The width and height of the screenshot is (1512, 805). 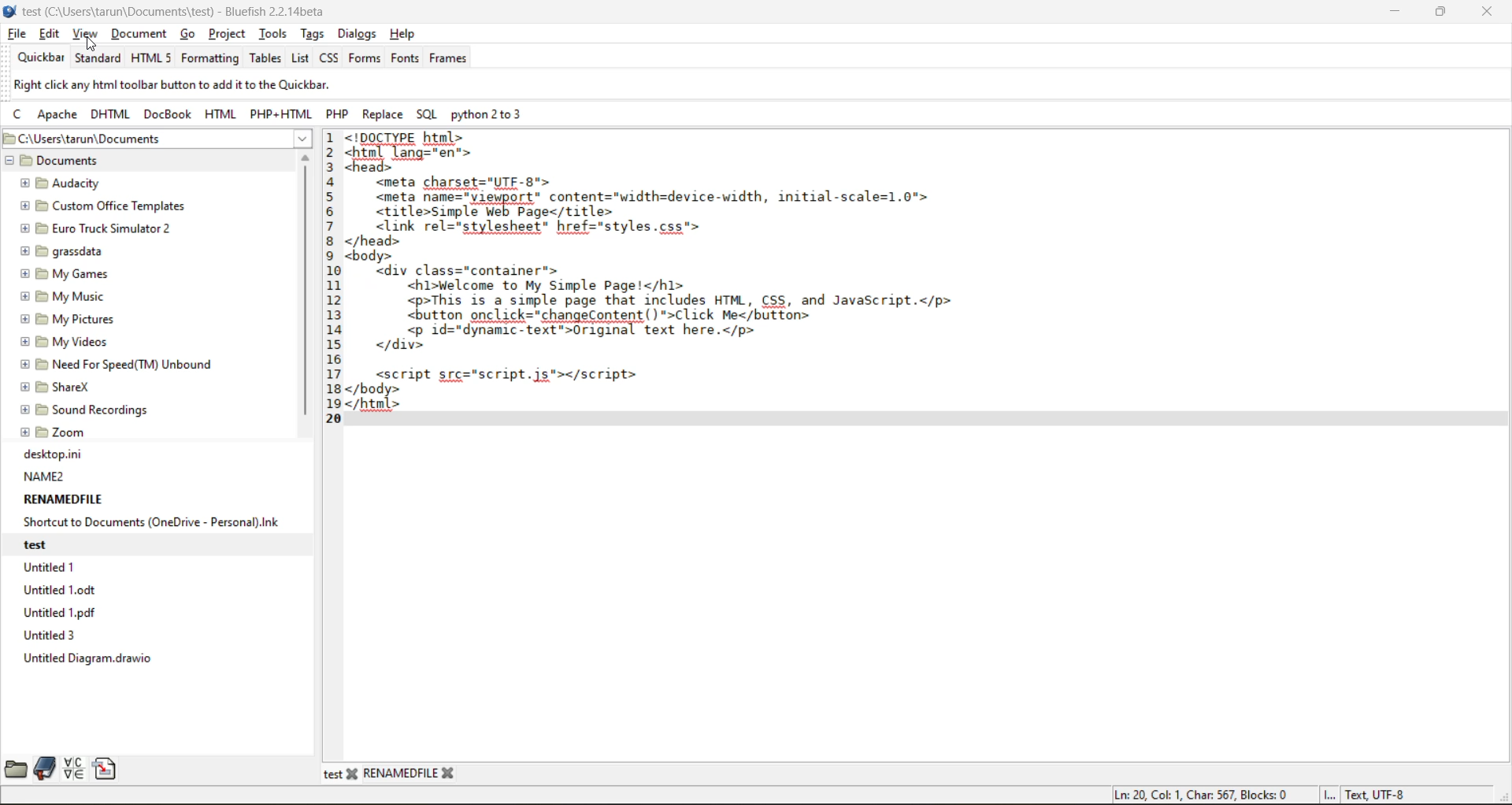 What do you see at coordinates (333, 60) in the screenshot?
I see `css` at bounding box center [333, 60].